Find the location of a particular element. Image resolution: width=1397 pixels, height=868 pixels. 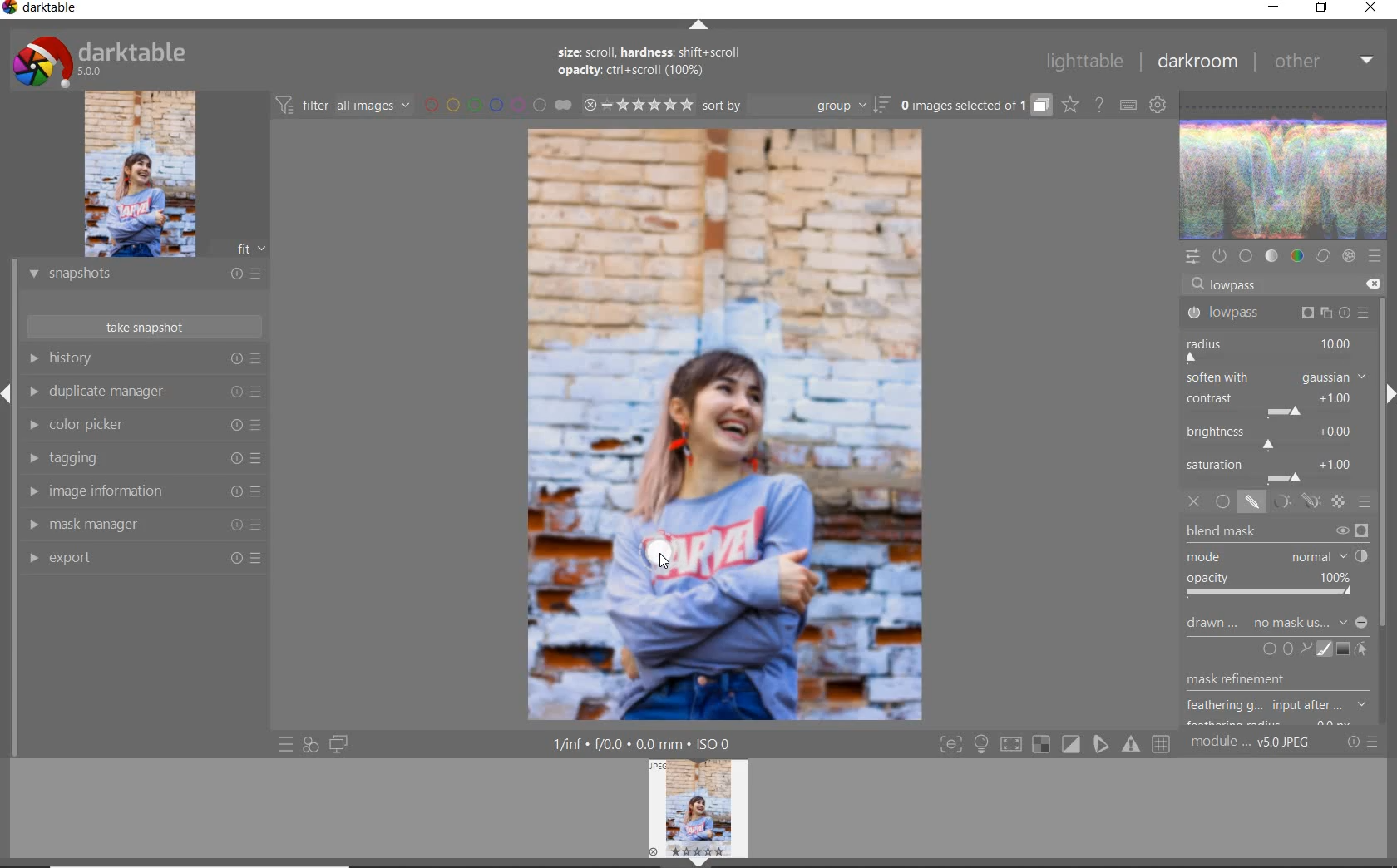

soften with is located at coordinates (1276, 377).